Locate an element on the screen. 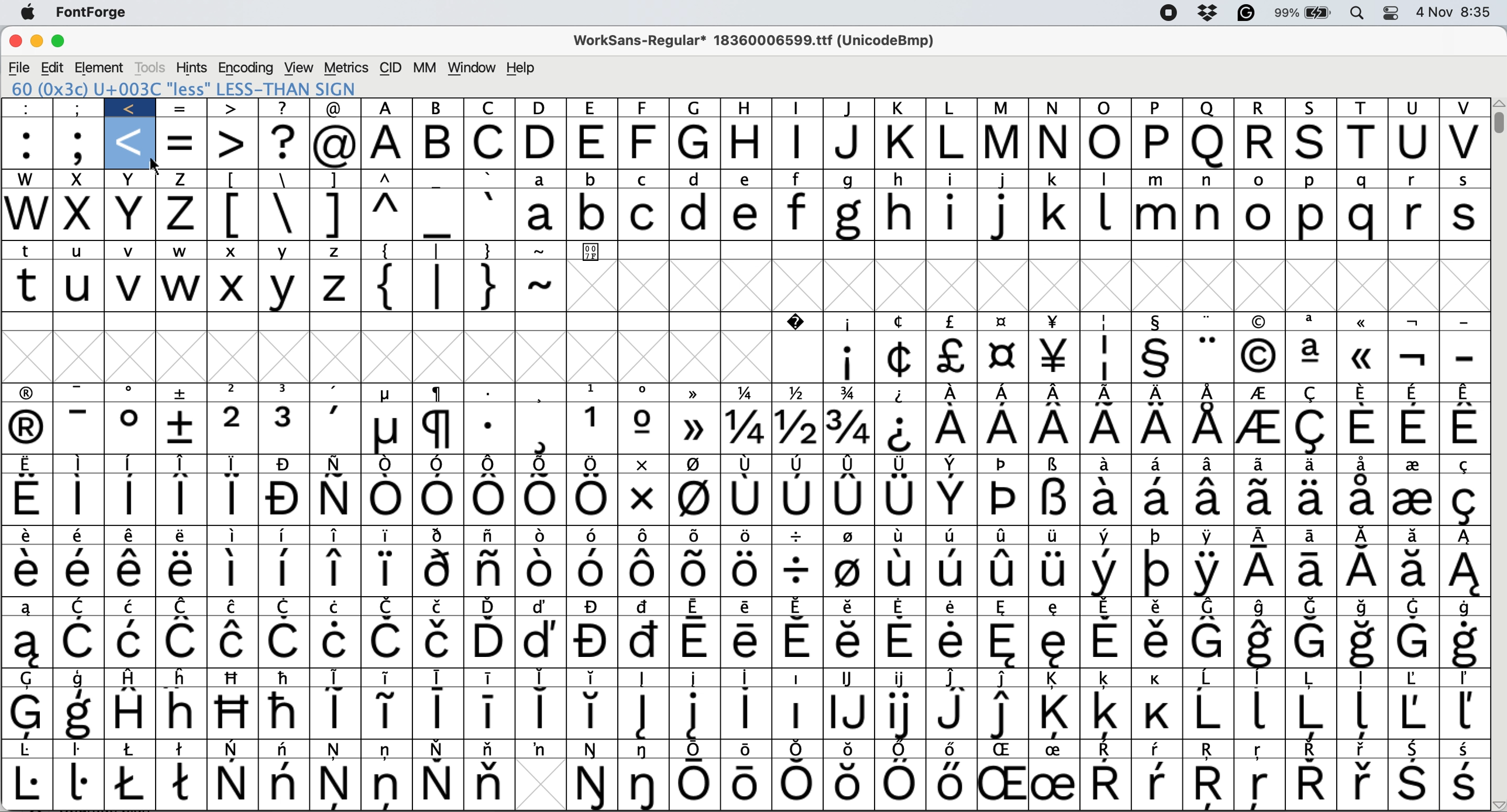 The image size is (1507, 812). Symbol is located at coordinates (388, 679).